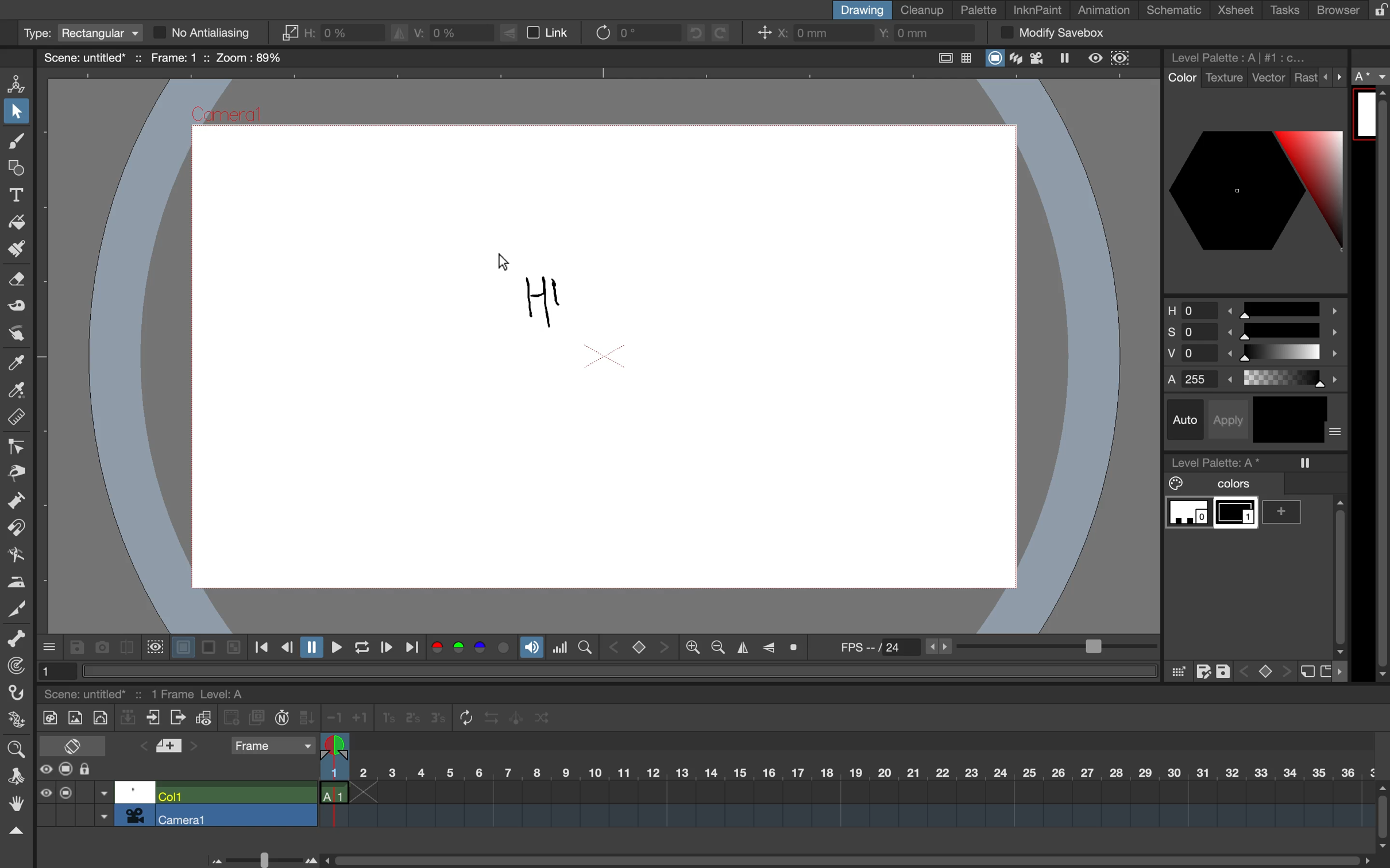  Describe the element at coordinates (72, 745) in the screenshot. I see `toggle x sheet timeline` at that location.